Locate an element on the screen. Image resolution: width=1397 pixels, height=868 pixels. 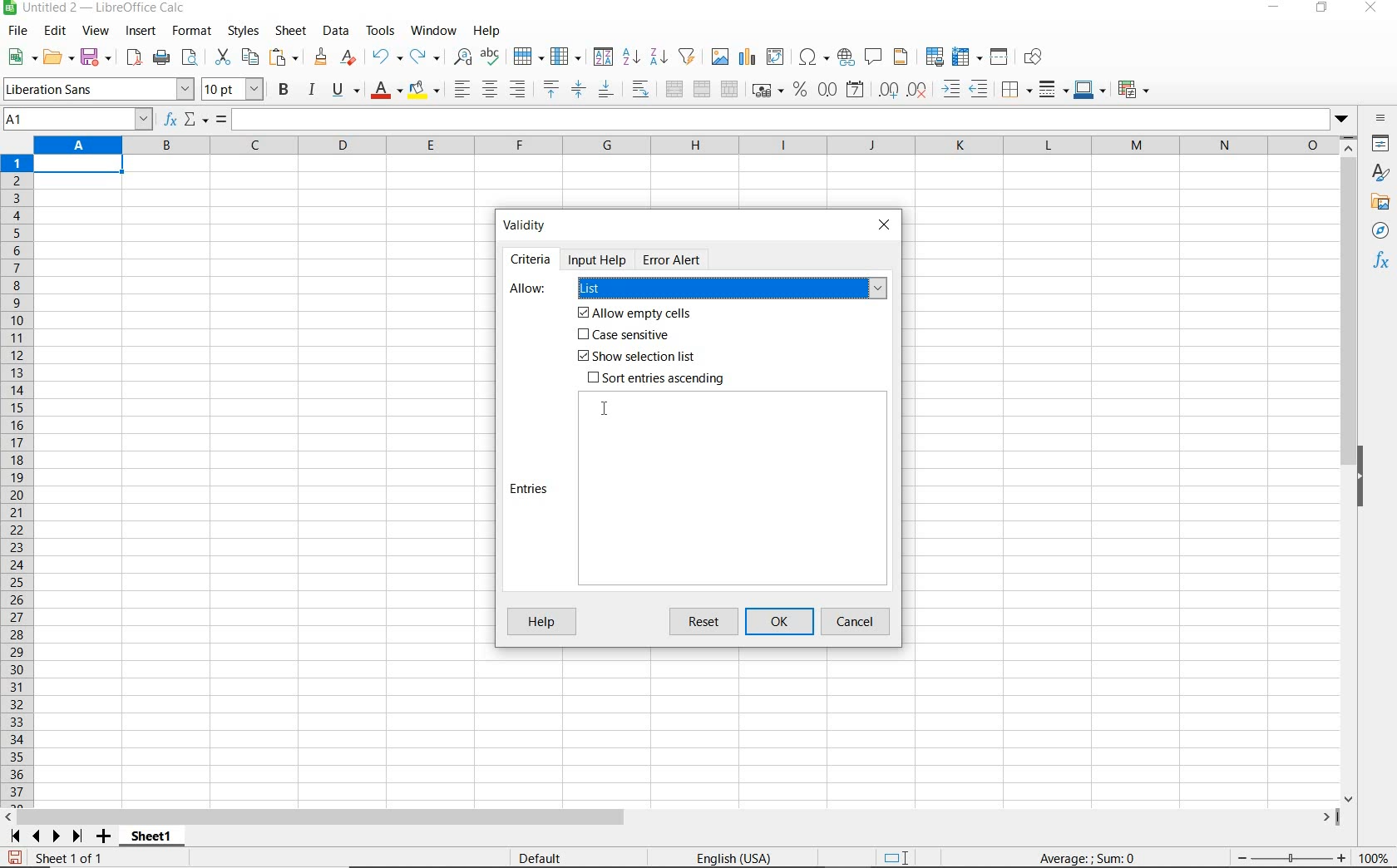
edit is located at coordinates (56, 33).